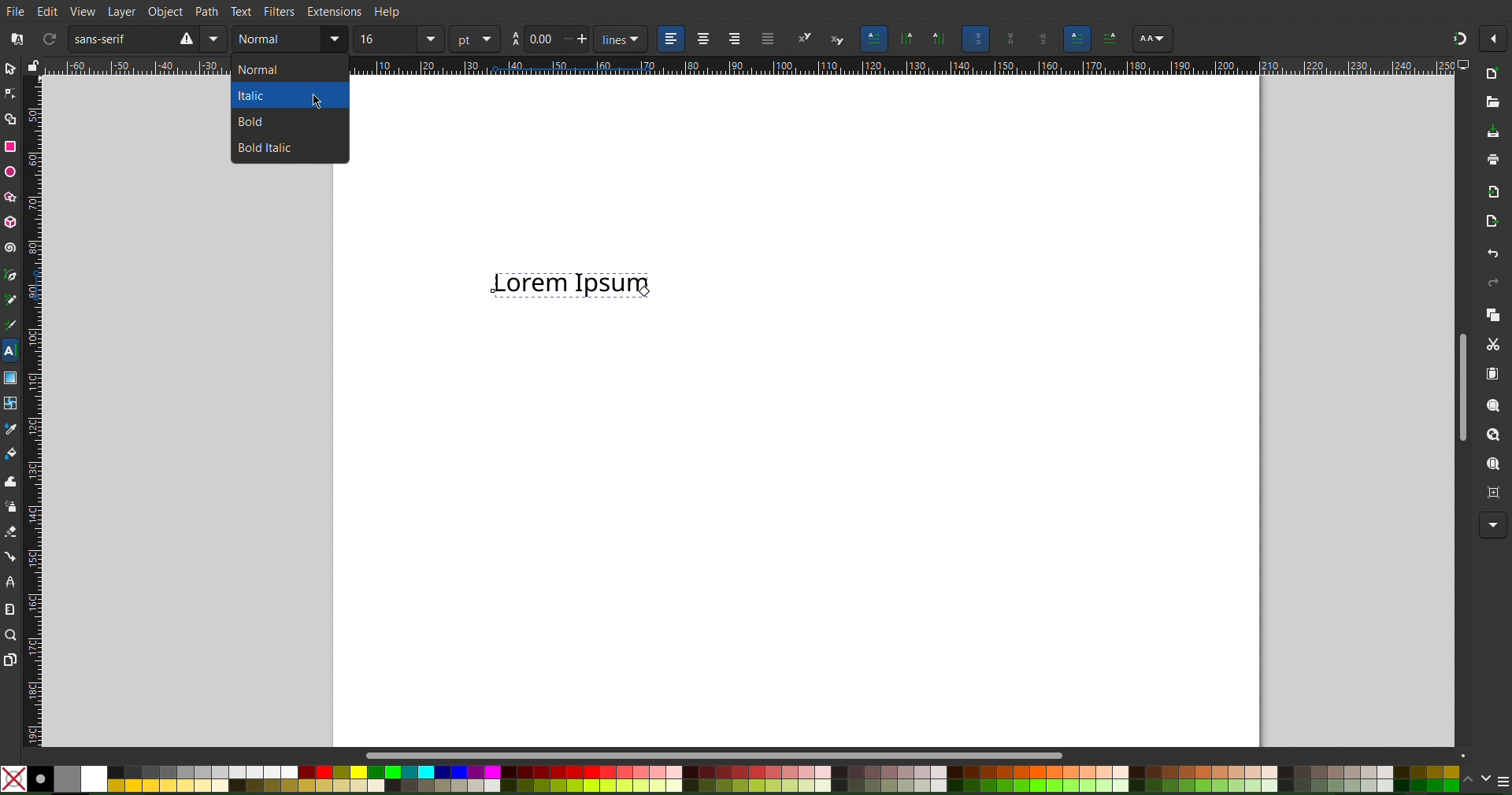 Image resolution: width=1512 pixels, height=795 pixels. Describe the element at coordinates (1492, 190) in the screenshot. I see `Import BitMap` at that location.